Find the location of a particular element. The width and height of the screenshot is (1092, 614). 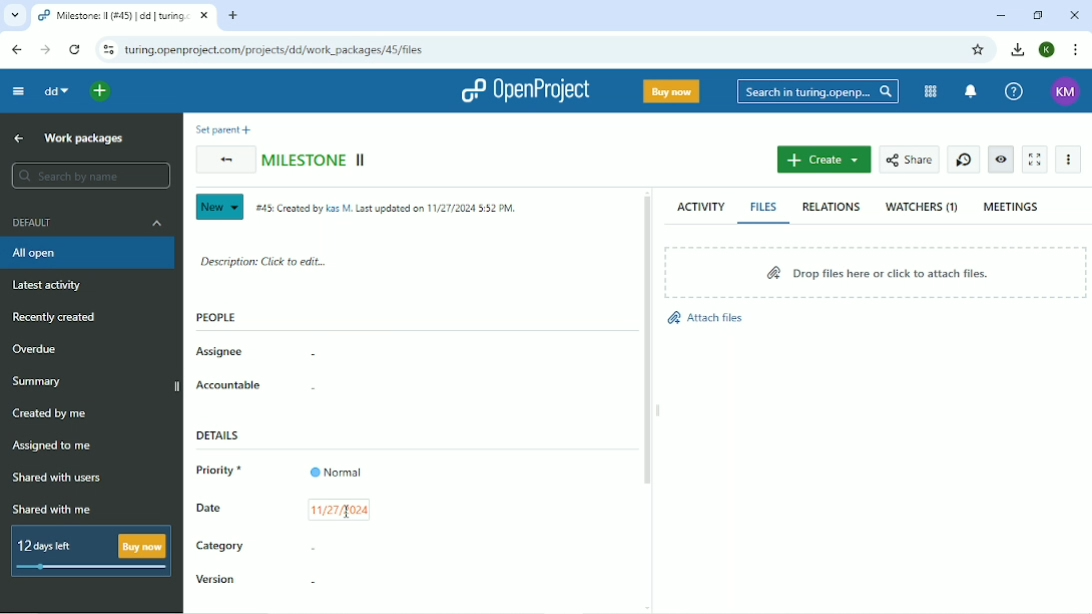

Search by name is located at coordinates (90, 175).